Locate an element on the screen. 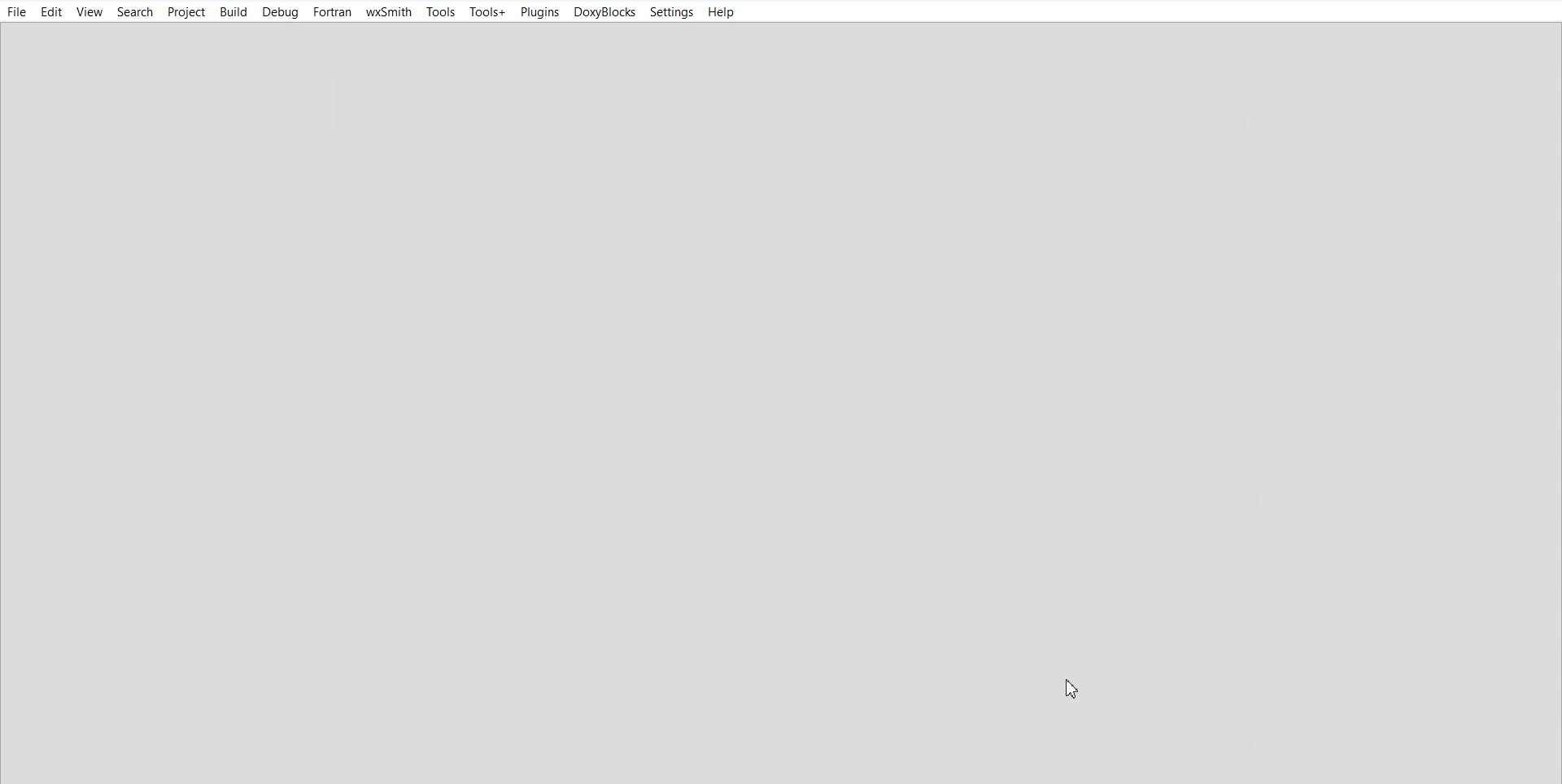  wxSmith is located at coordinates (389, 13).